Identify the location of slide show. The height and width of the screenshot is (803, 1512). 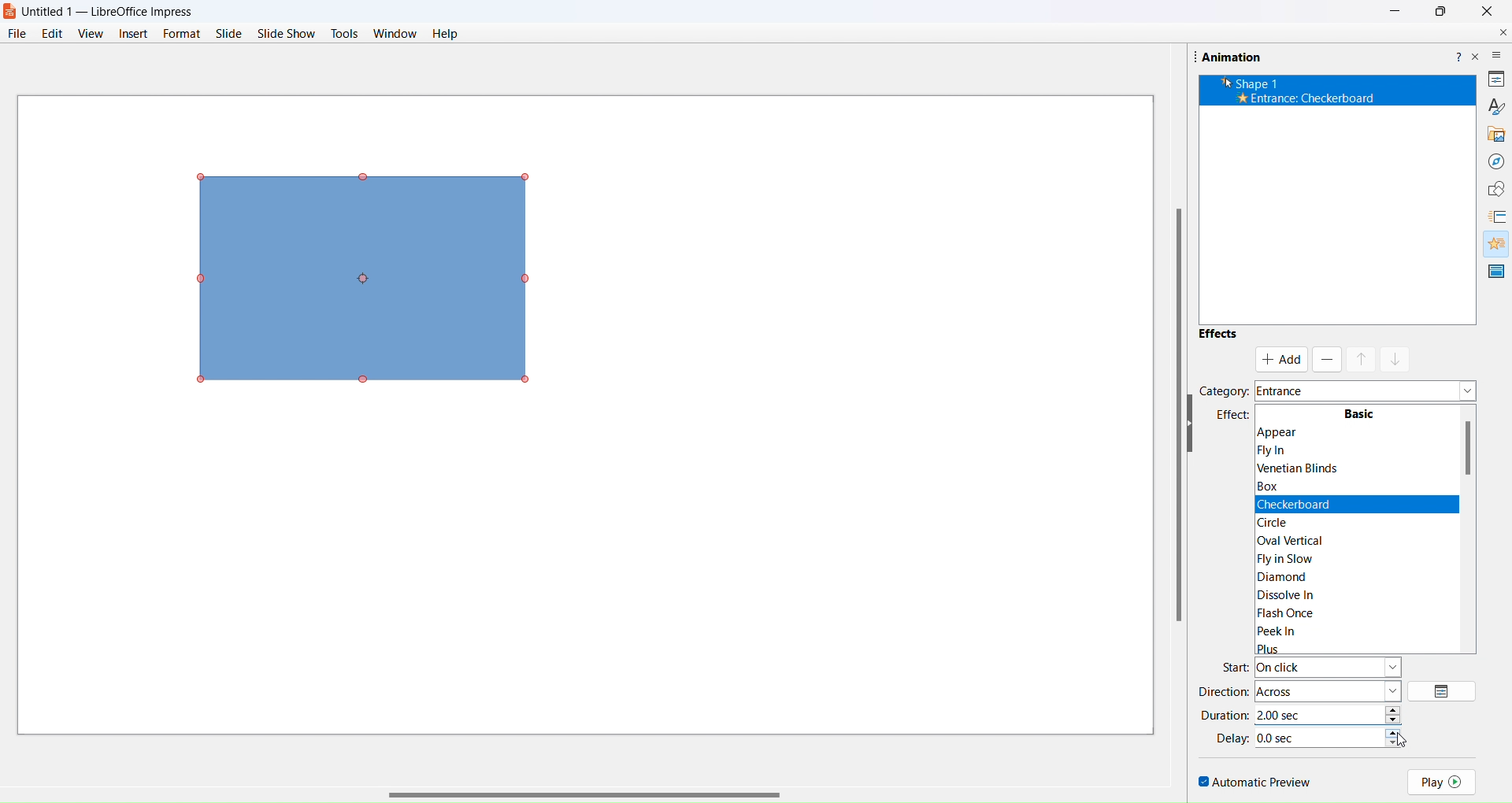
(287, 33).